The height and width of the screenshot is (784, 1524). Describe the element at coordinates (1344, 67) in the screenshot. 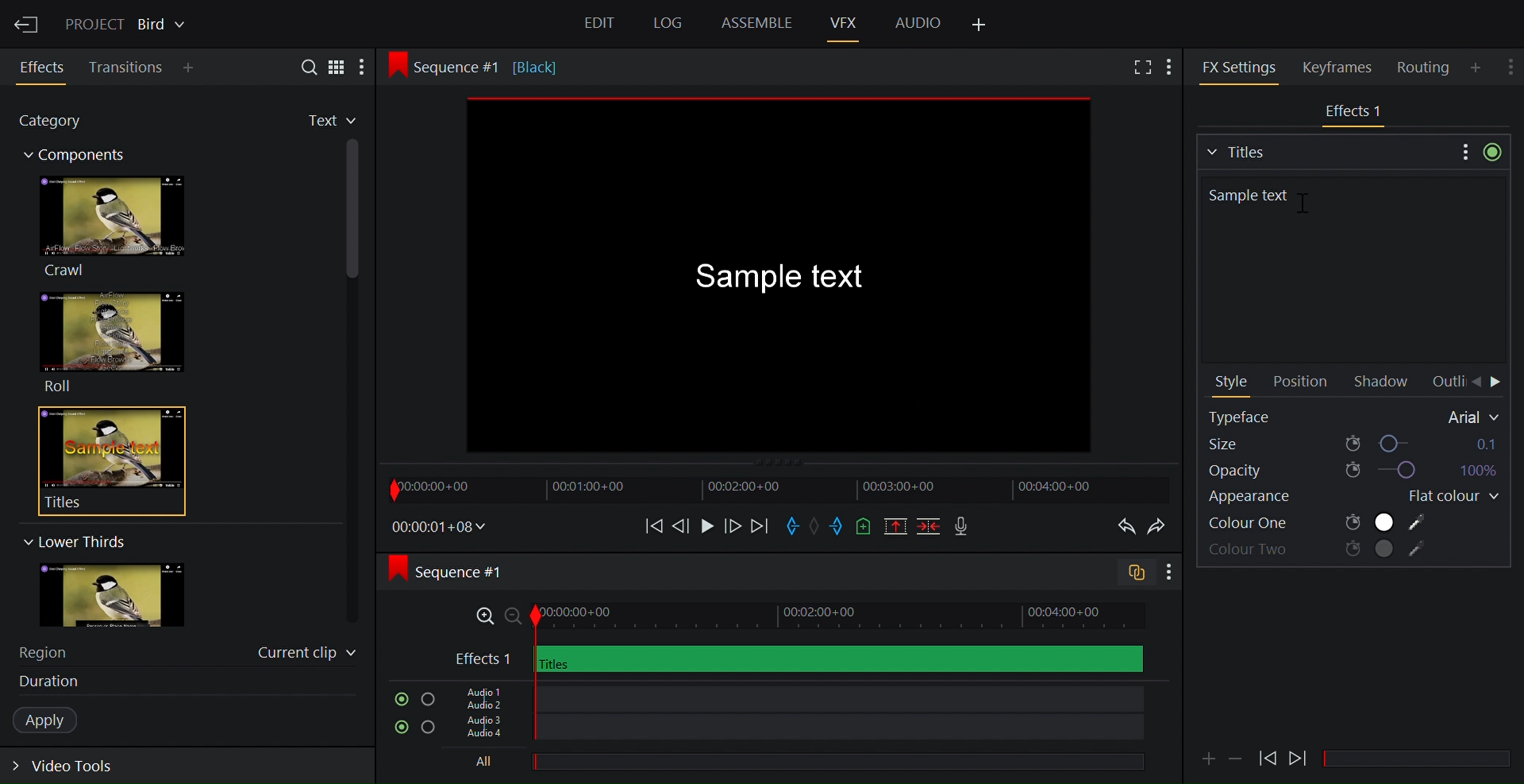

I see `Keyframes` at that location.